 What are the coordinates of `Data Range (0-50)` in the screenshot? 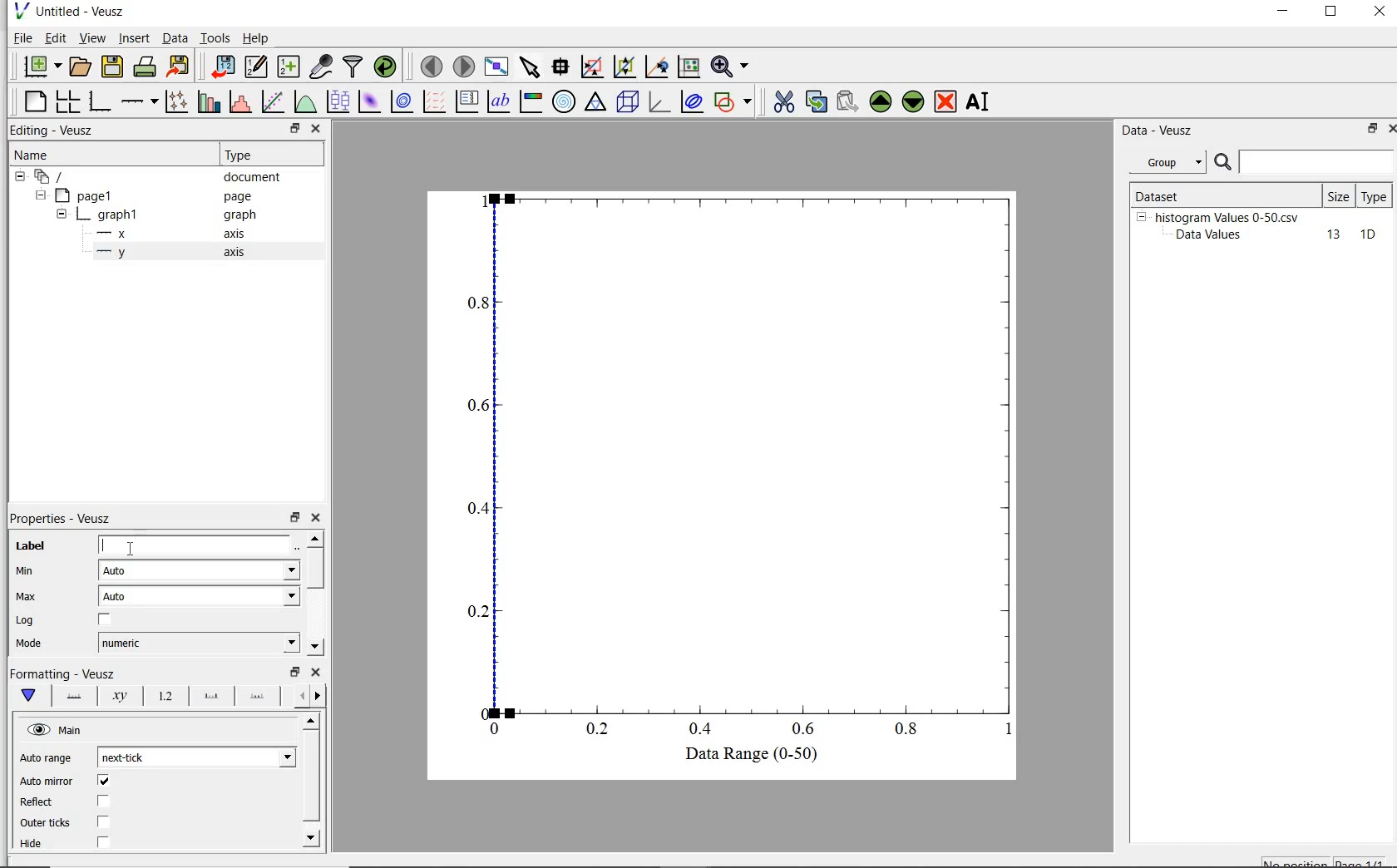 It's located at (743, 755).